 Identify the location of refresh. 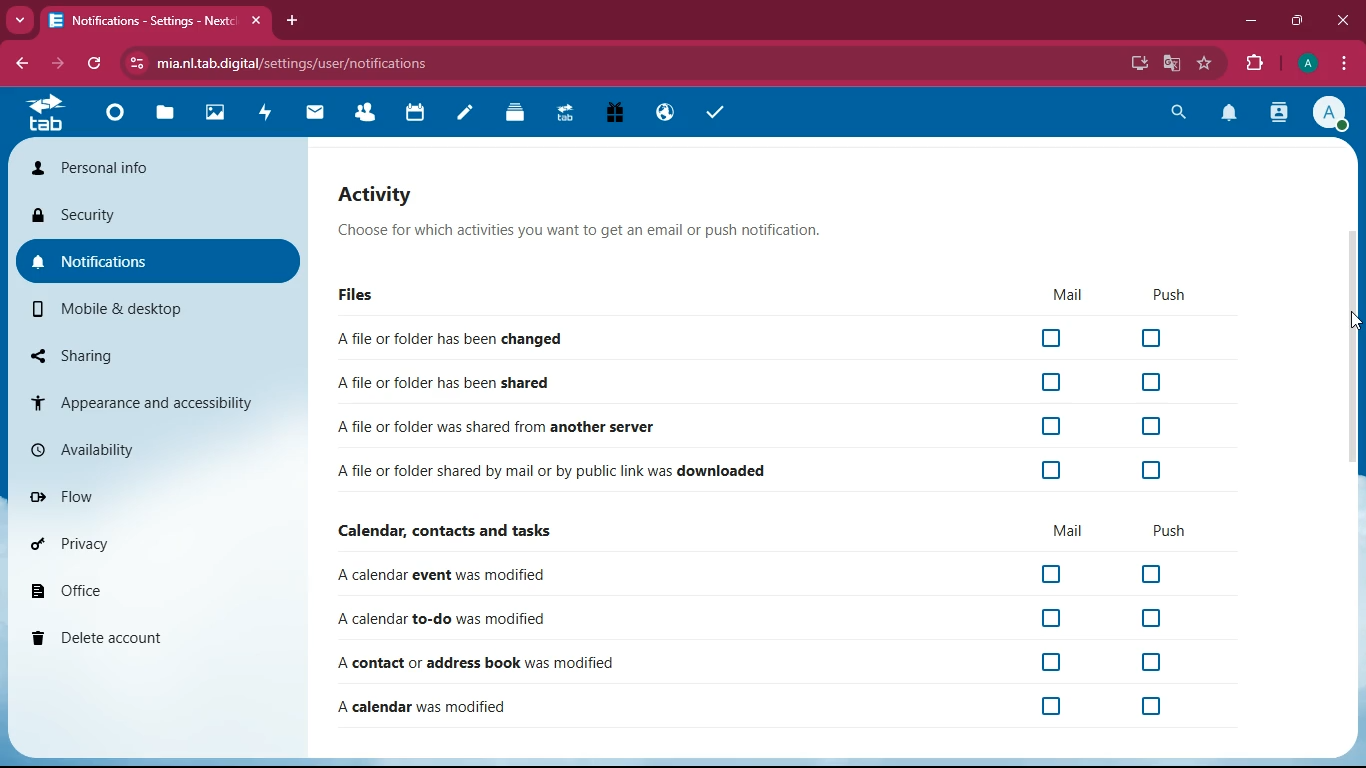
(96, 62).